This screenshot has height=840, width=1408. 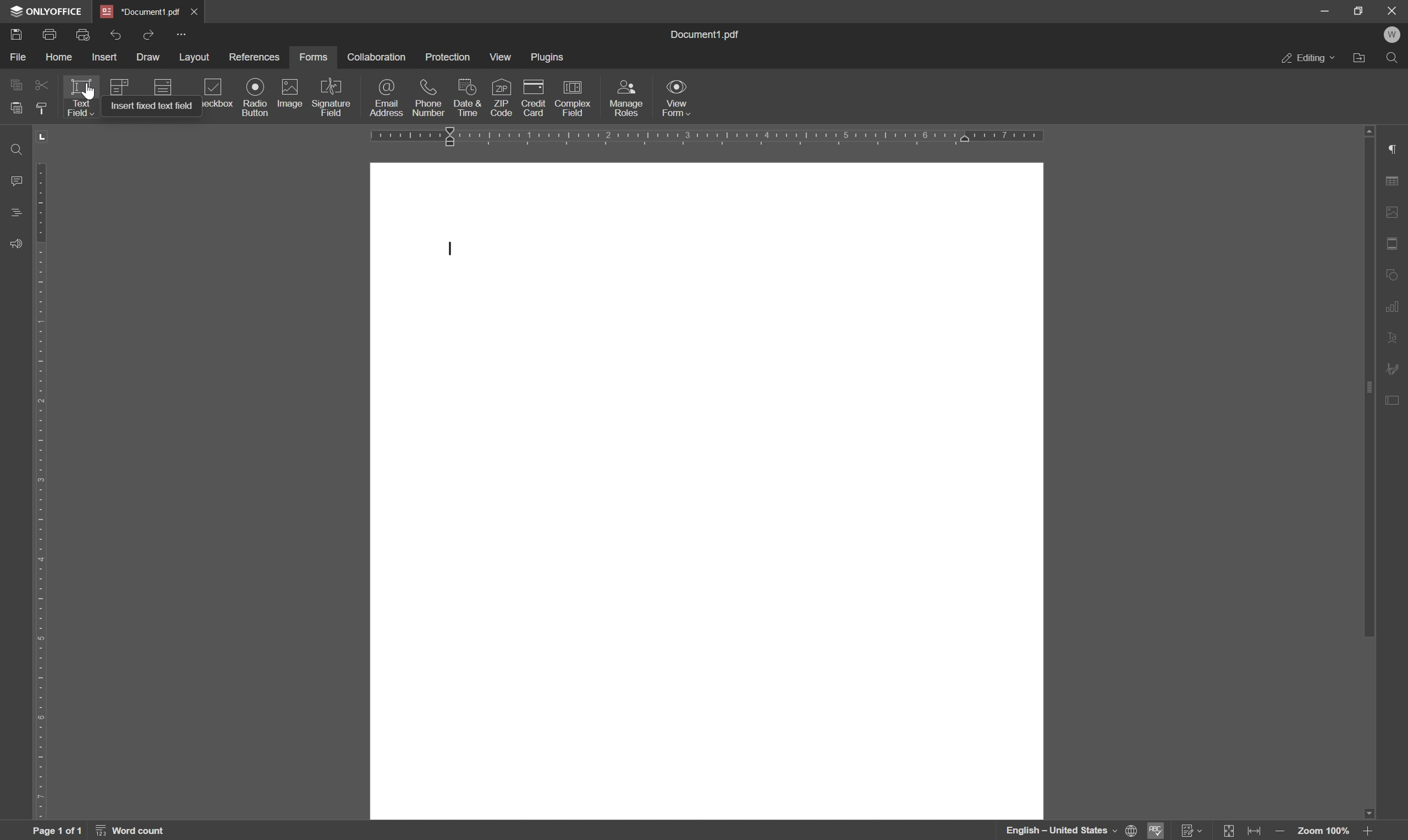 What do you see at coordinates (1071, 830) in the screenshot?
I see `set document language` at bounding box center [1071, 830].